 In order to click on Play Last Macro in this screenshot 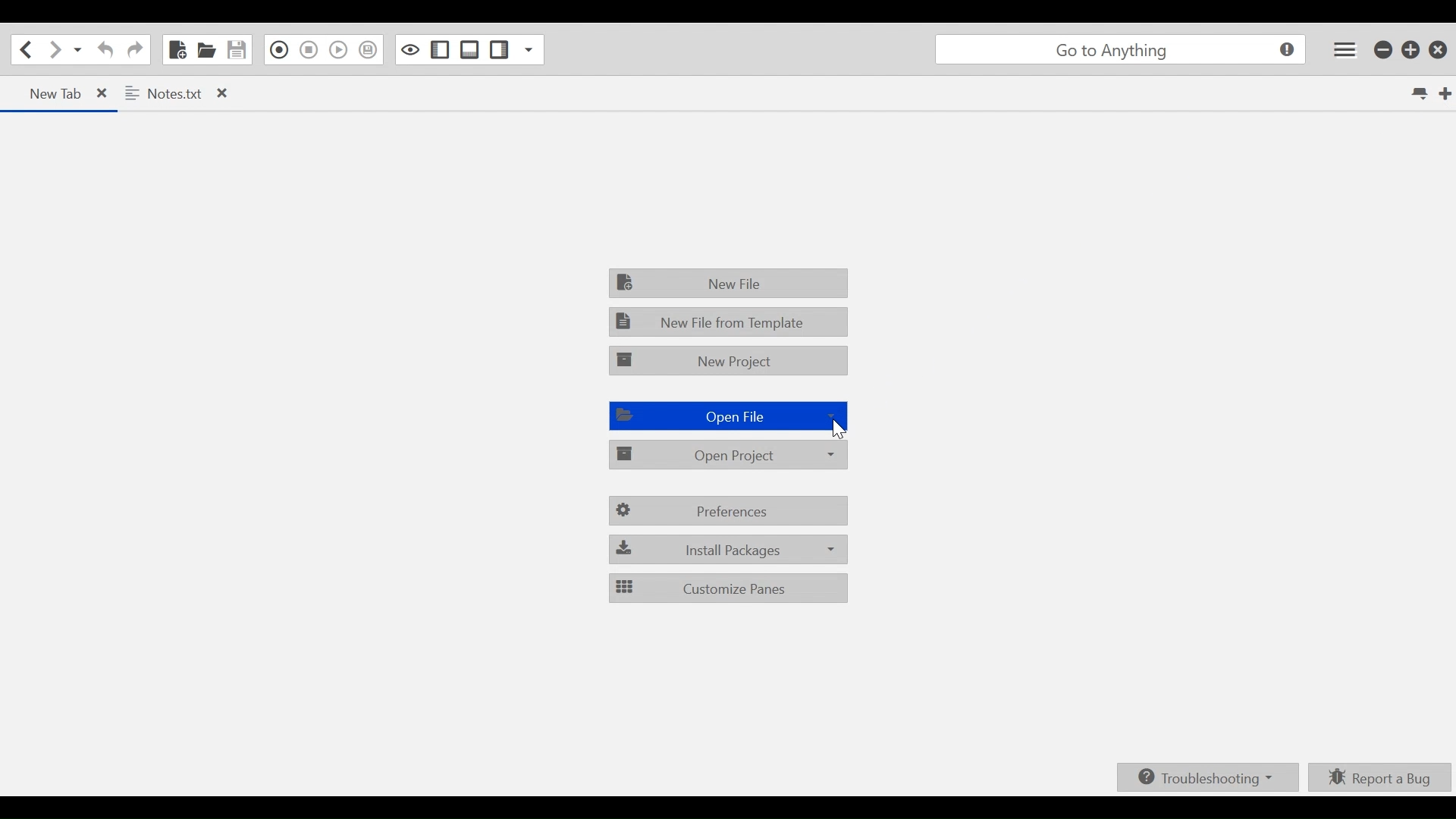, I will do `click(340, 50)`.